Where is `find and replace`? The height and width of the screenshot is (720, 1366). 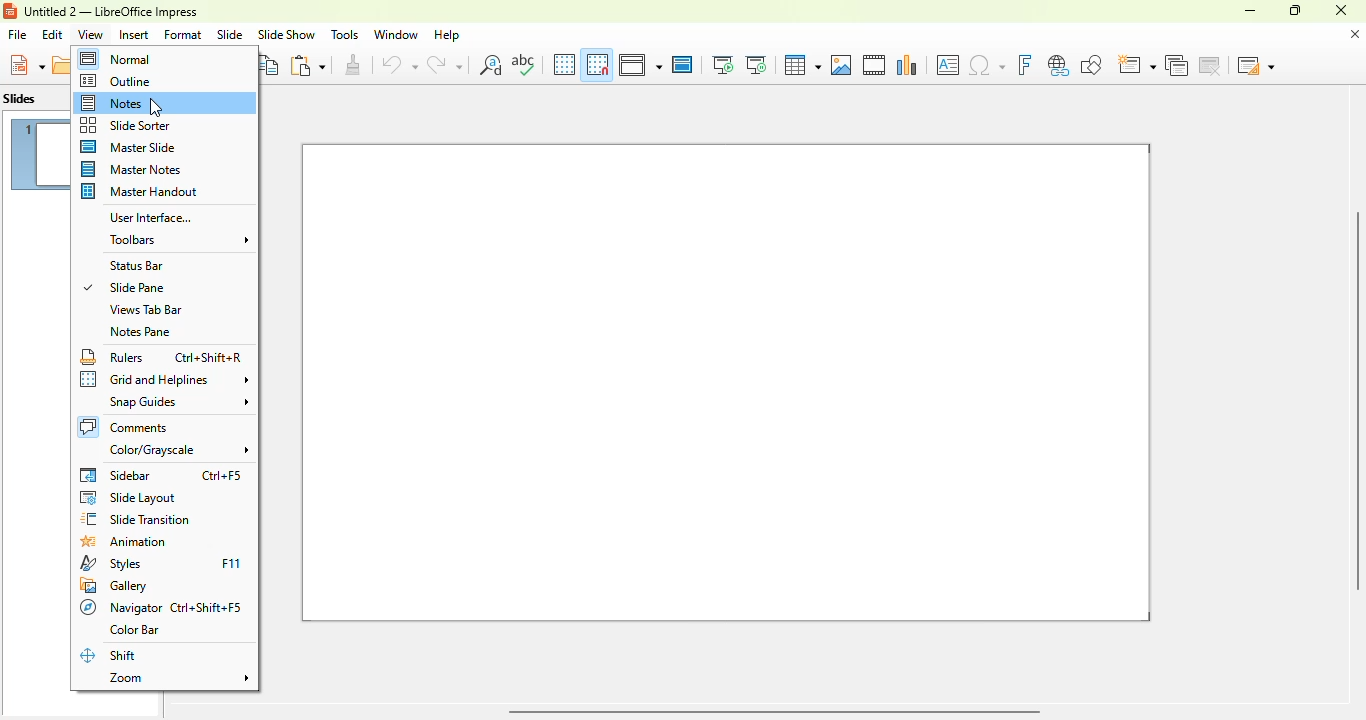
find and replace is located at coordinates (491, 64).